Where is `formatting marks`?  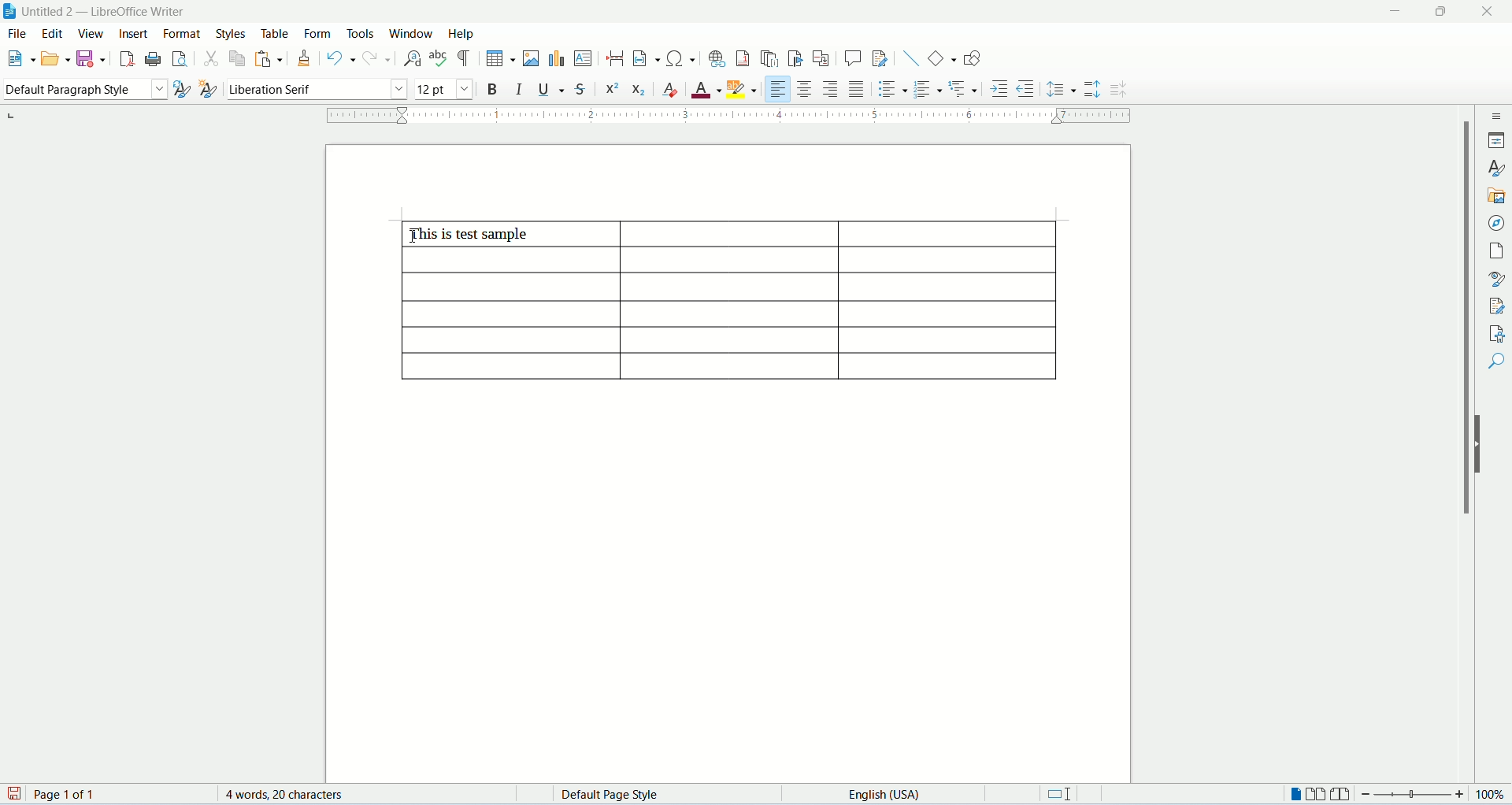 formatting marks is located at coordinates (465, 57).